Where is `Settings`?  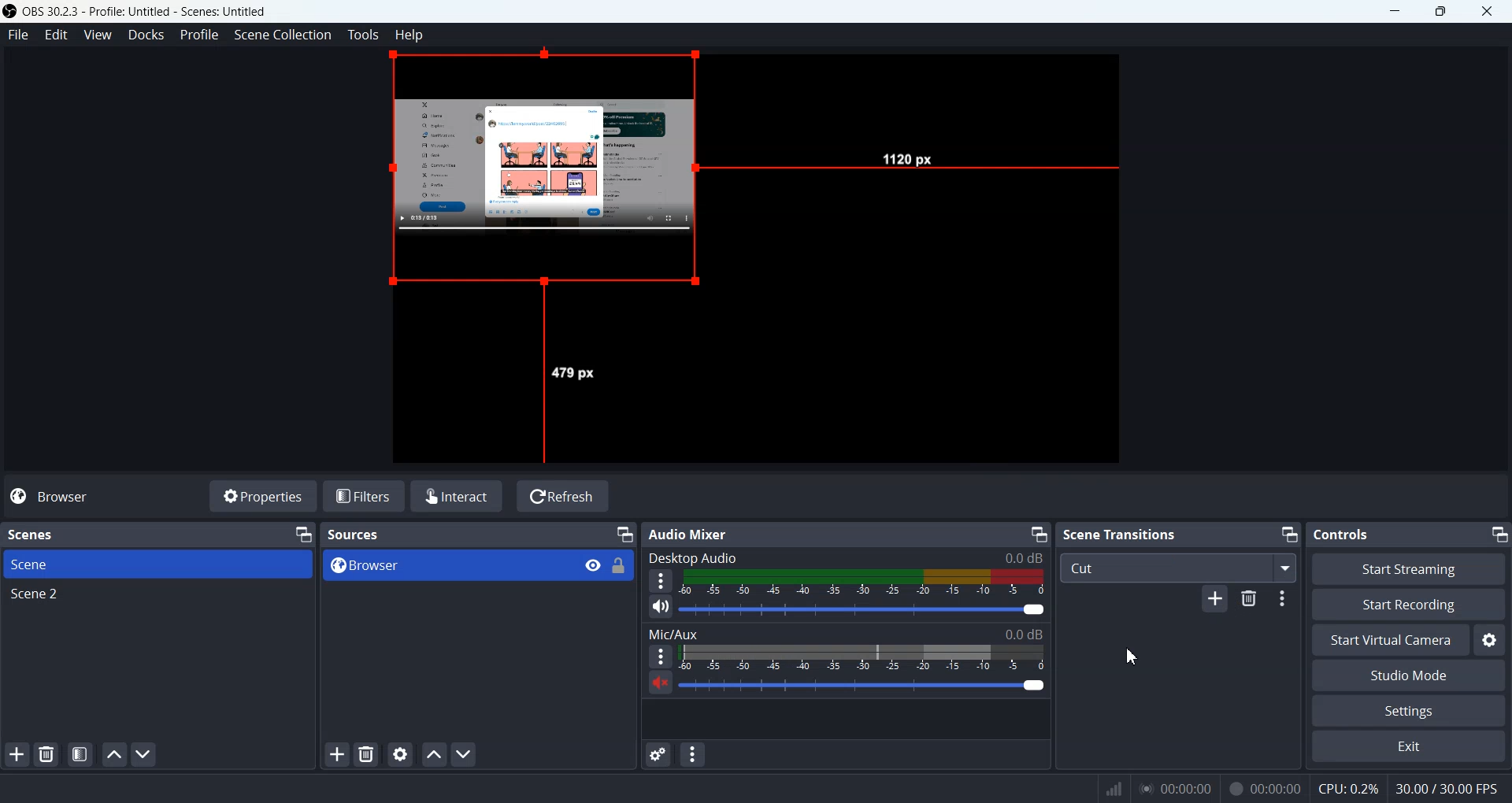
Settings is located at coordinates (1409, 710).